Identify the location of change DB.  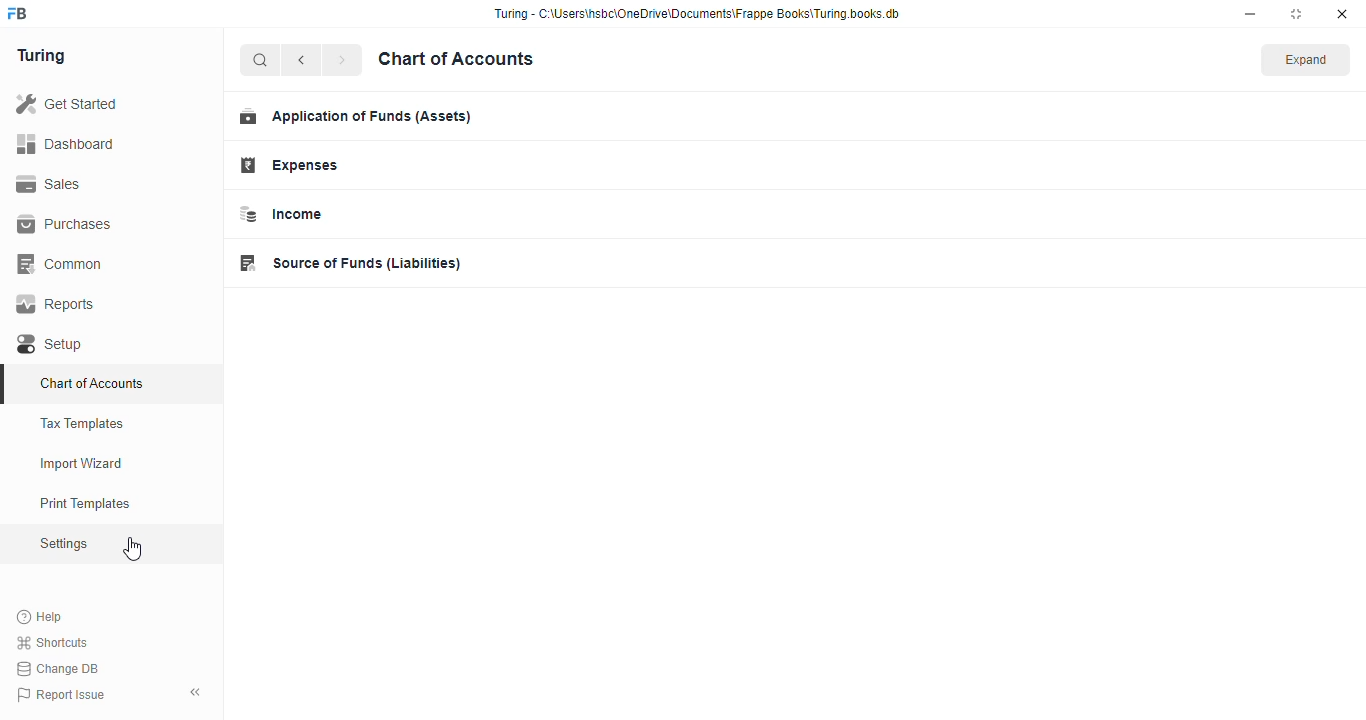
(57, 669).